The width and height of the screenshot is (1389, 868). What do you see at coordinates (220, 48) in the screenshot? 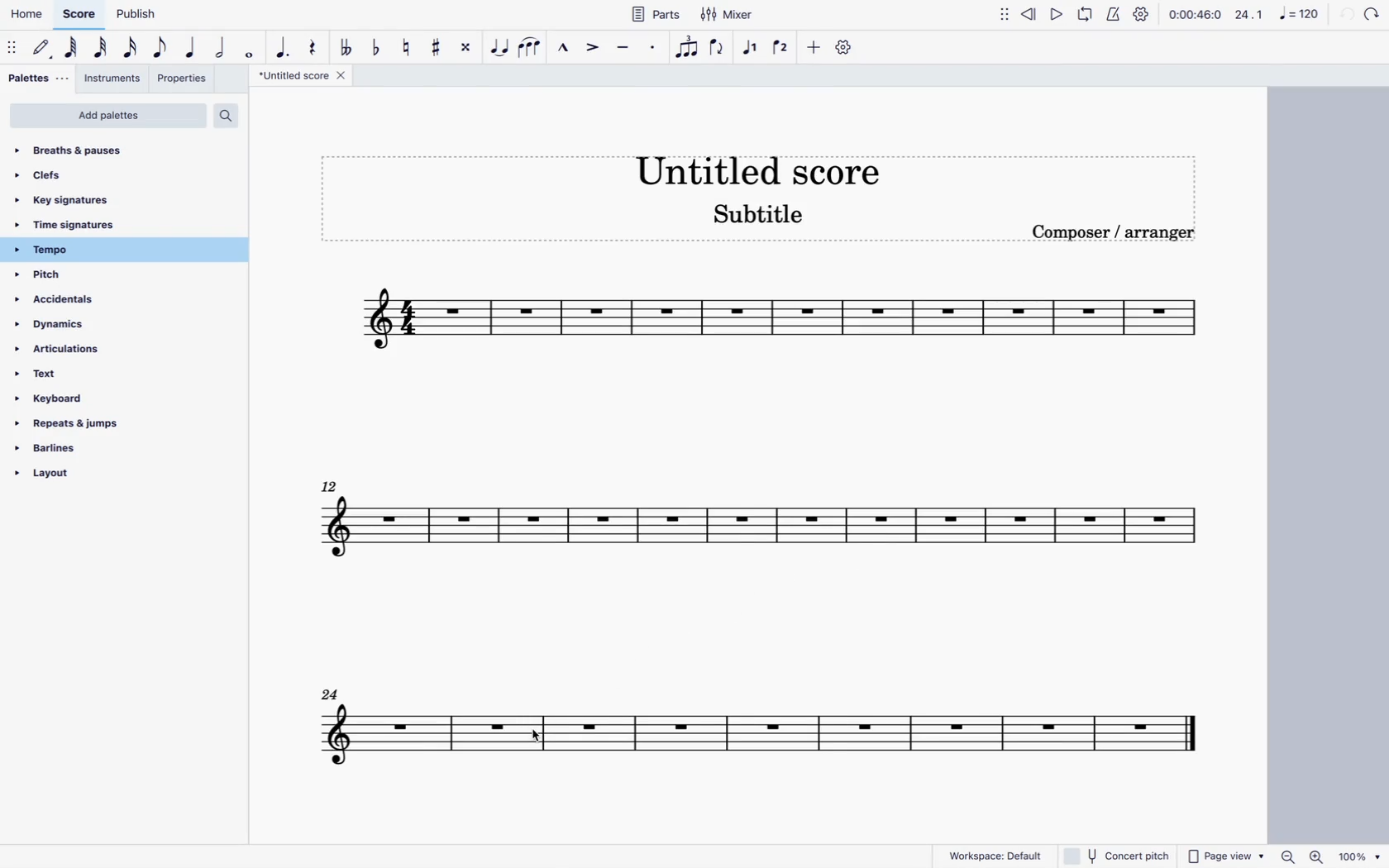
I see `half note` at bounding box center [220, 48].